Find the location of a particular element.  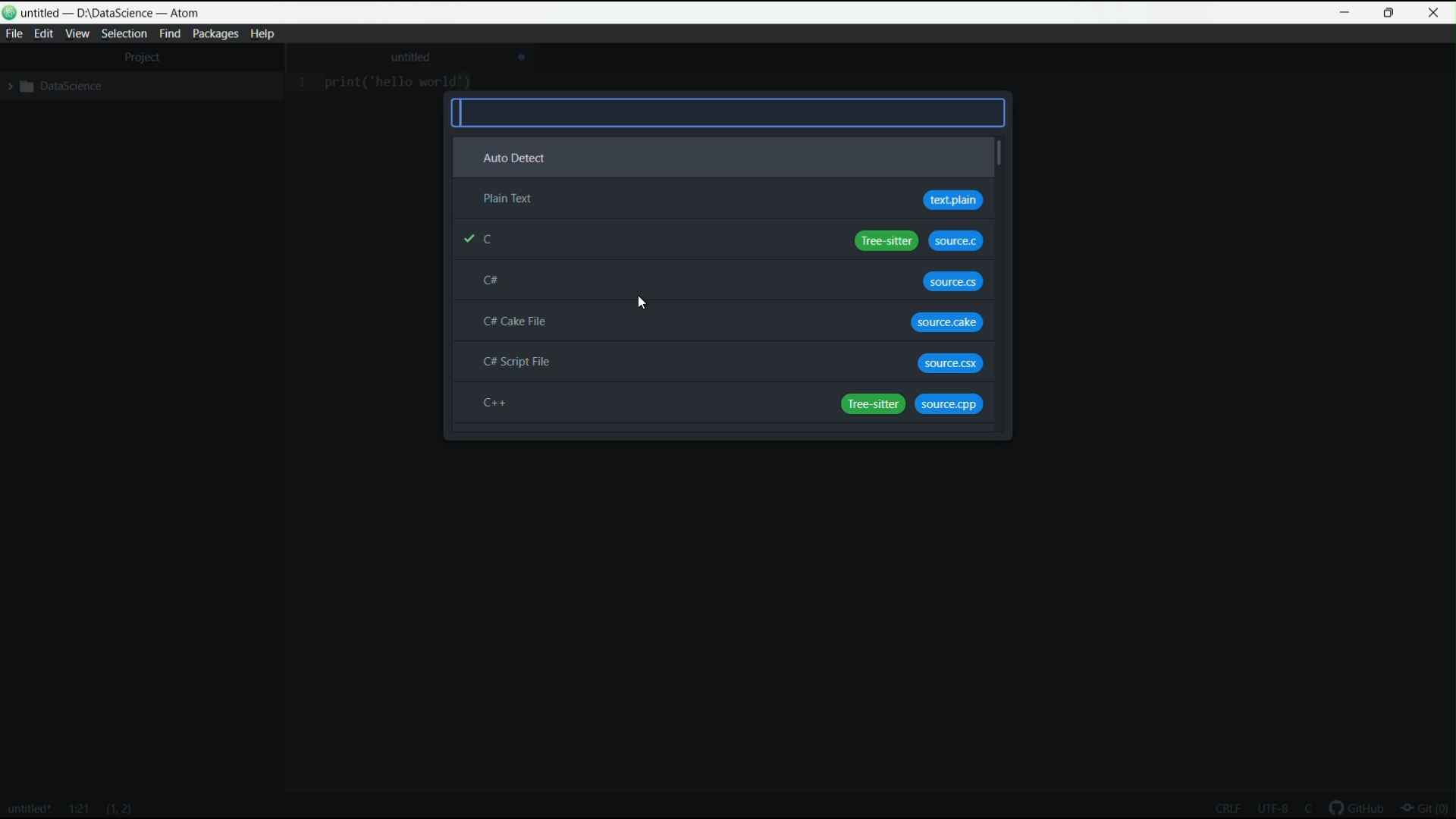

language is located at coordinates (1307, 808).